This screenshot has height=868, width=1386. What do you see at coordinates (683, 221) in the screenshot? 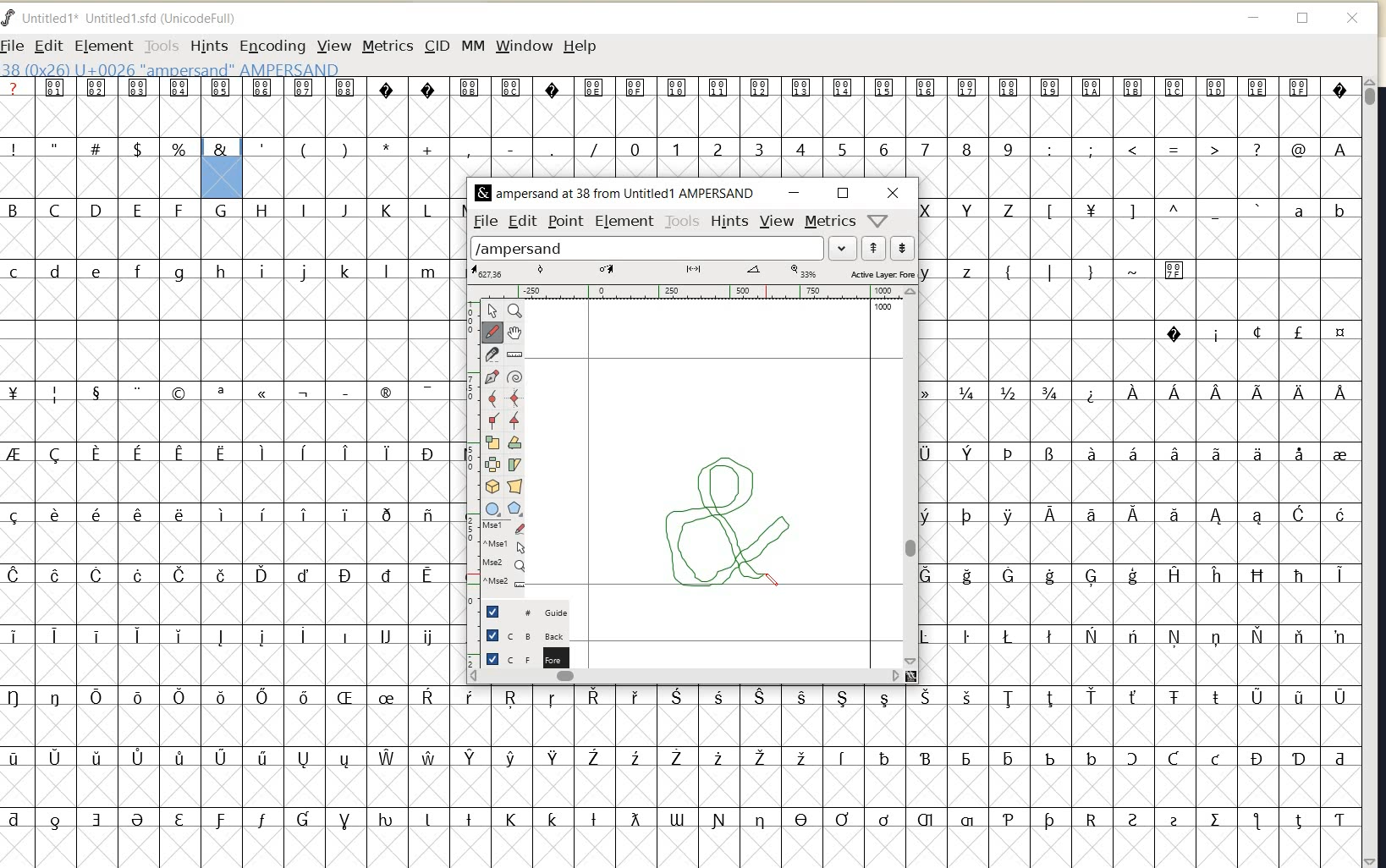
I see `TOOLS` at bounding box center [683, 221].